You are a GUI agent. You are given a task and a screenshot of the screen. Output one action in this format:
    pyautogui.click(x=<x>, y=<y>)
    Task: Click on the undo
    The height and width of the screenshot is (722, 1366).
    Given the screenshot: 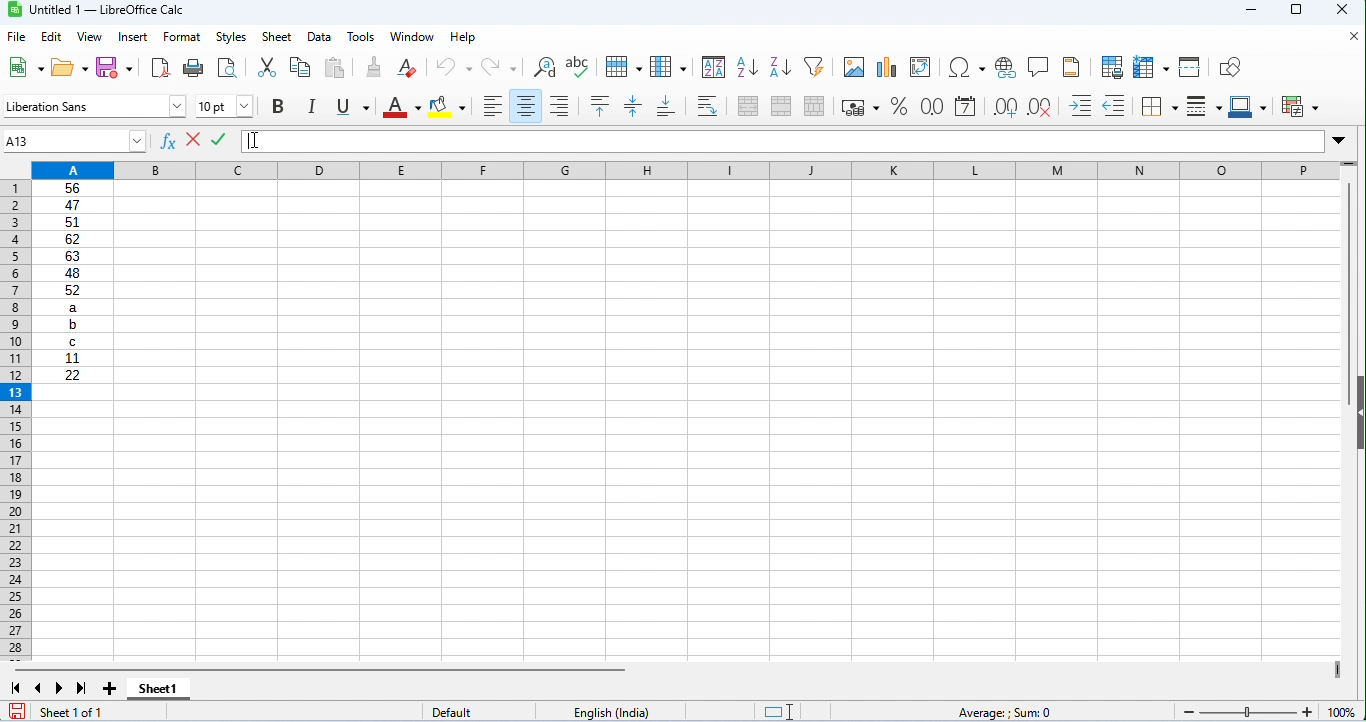 What is the action you would take?
    pyautogui.click(x=456, y=67)
    